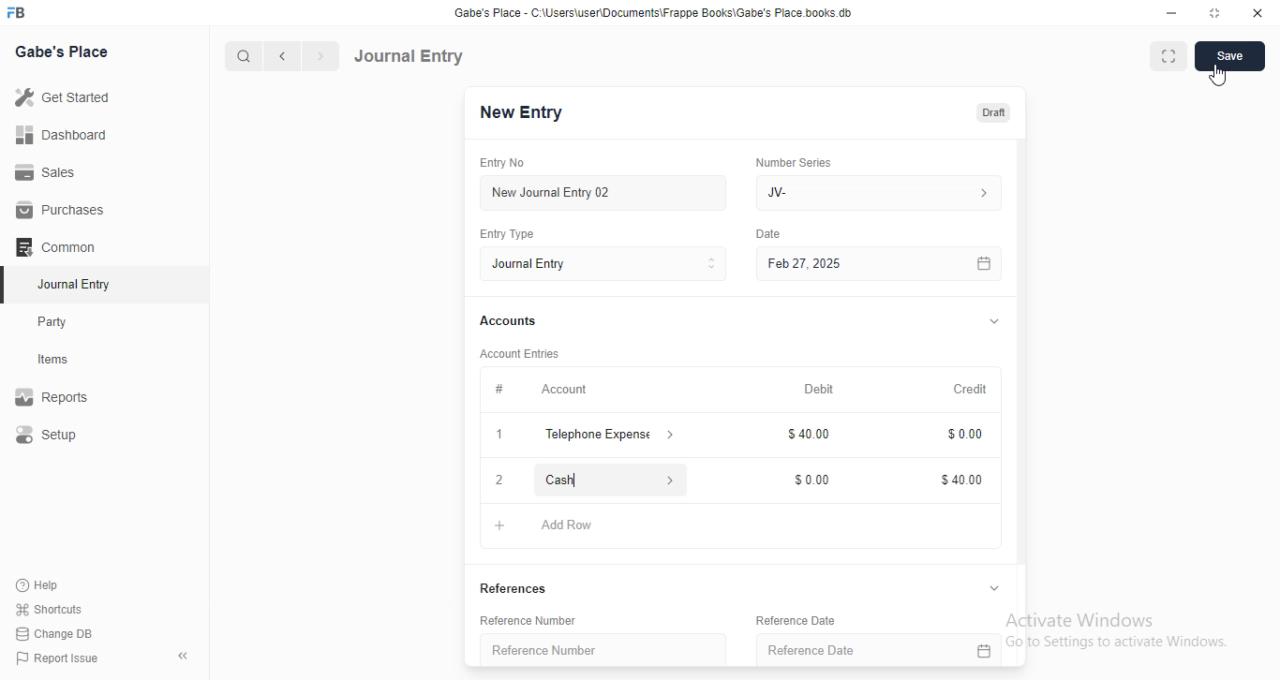  I want to click on New Journal Entry 02, so click(605, 193).